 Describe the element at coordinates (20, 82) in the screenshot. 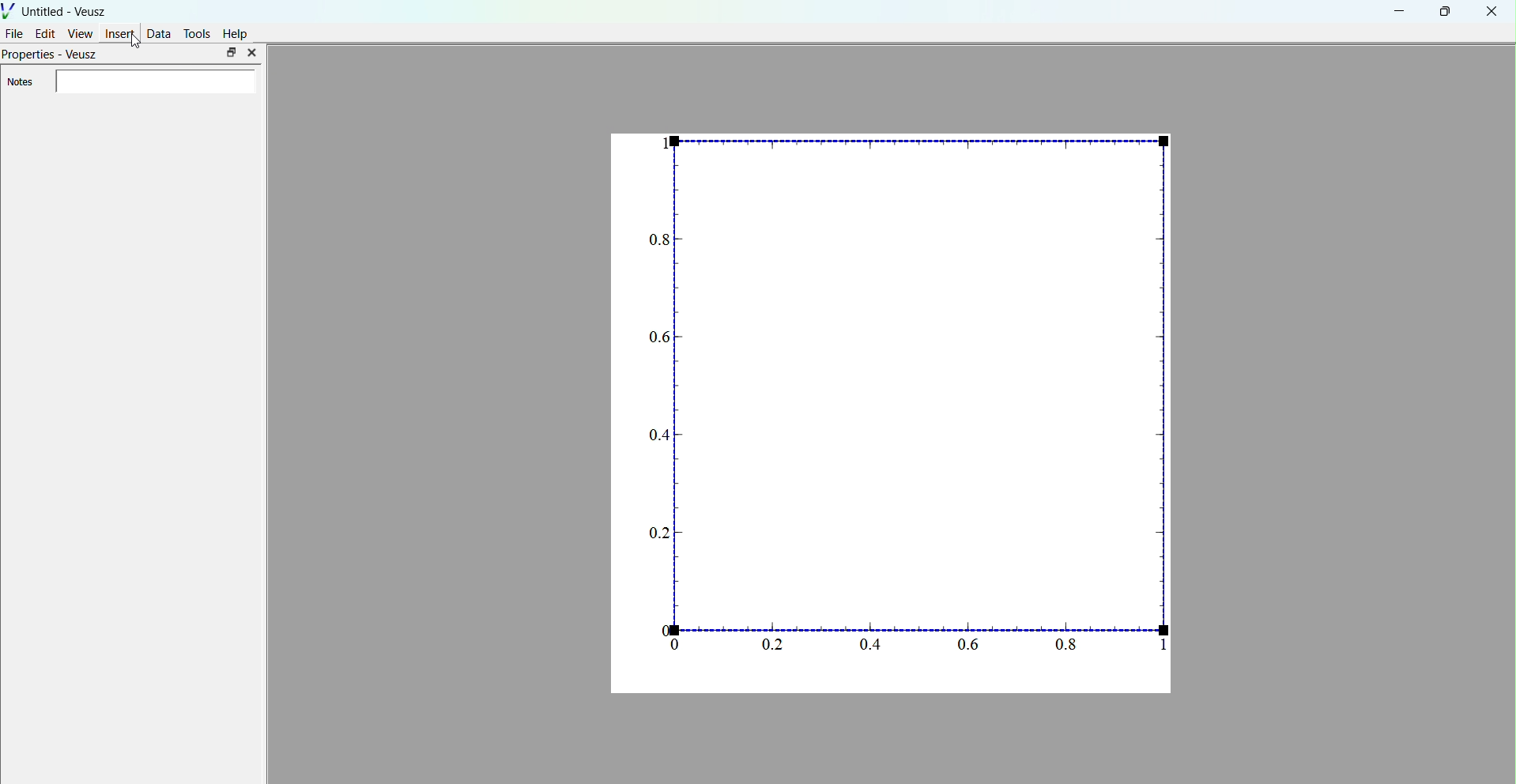

I see `Notes` at that location.